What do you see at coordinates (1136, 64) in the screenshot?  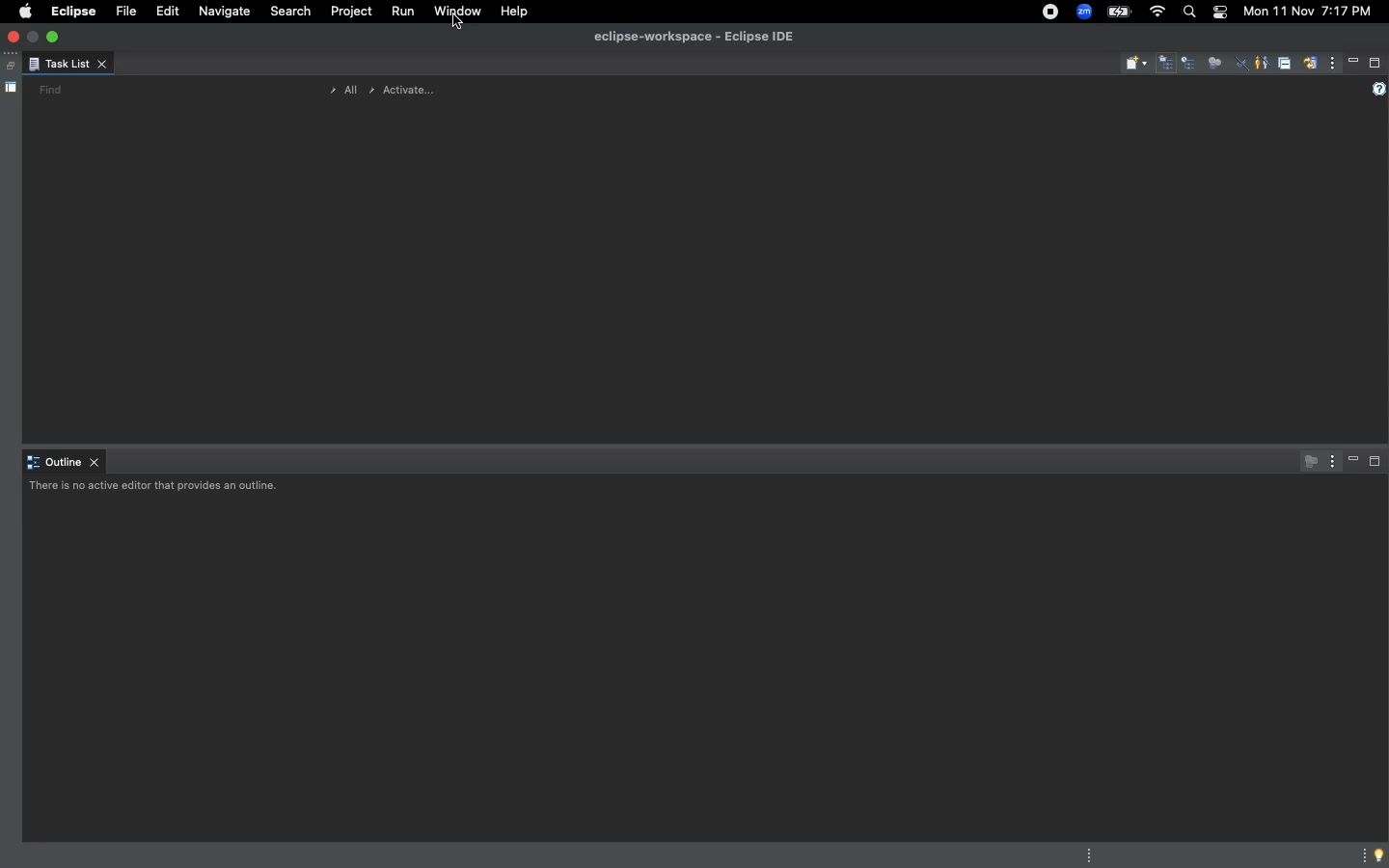 I see `New task` at bounding box center [1136, 64].